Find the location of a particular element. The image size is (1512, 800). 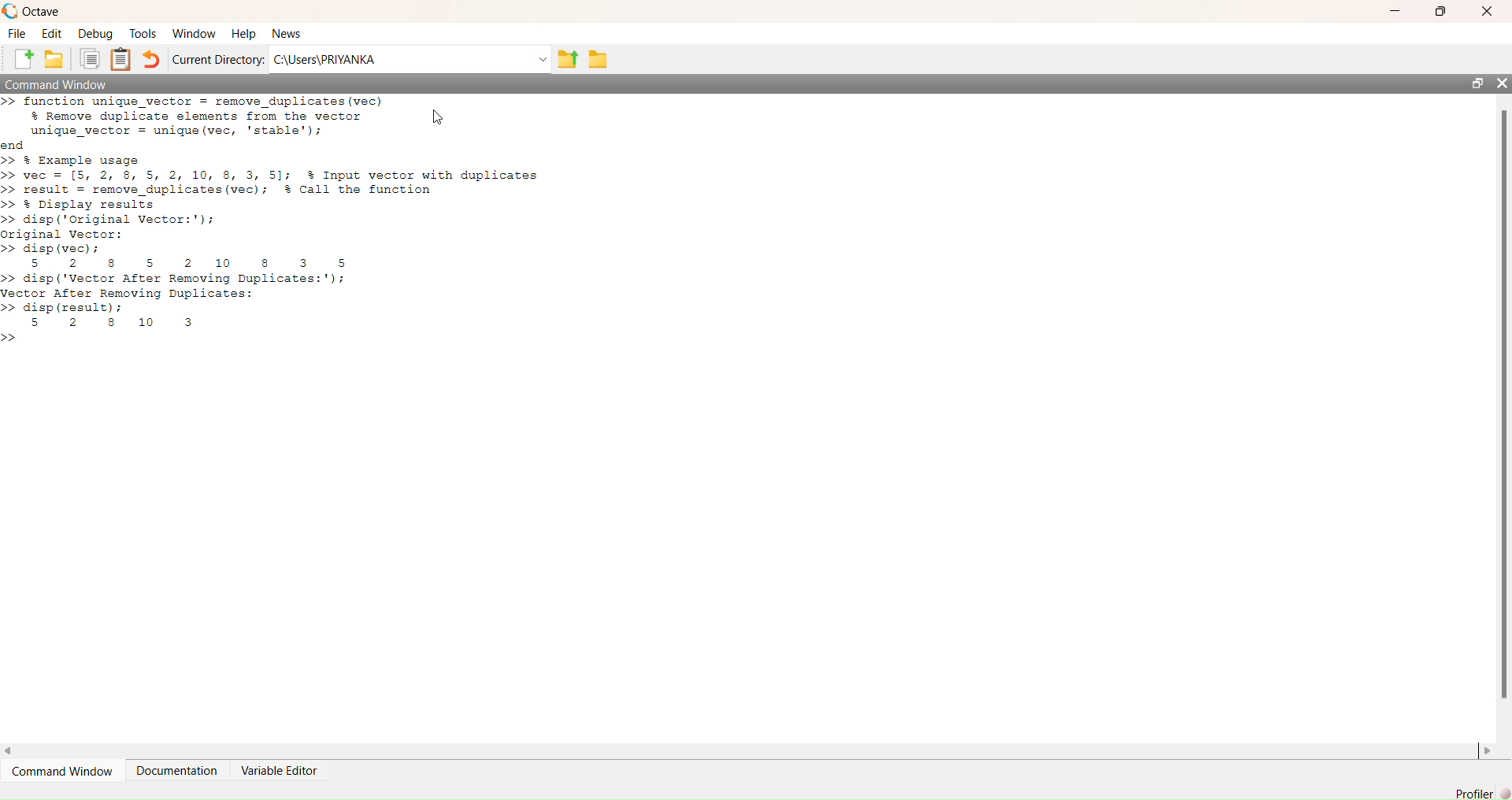

Drop-down  is located at coordinates (543, 59).